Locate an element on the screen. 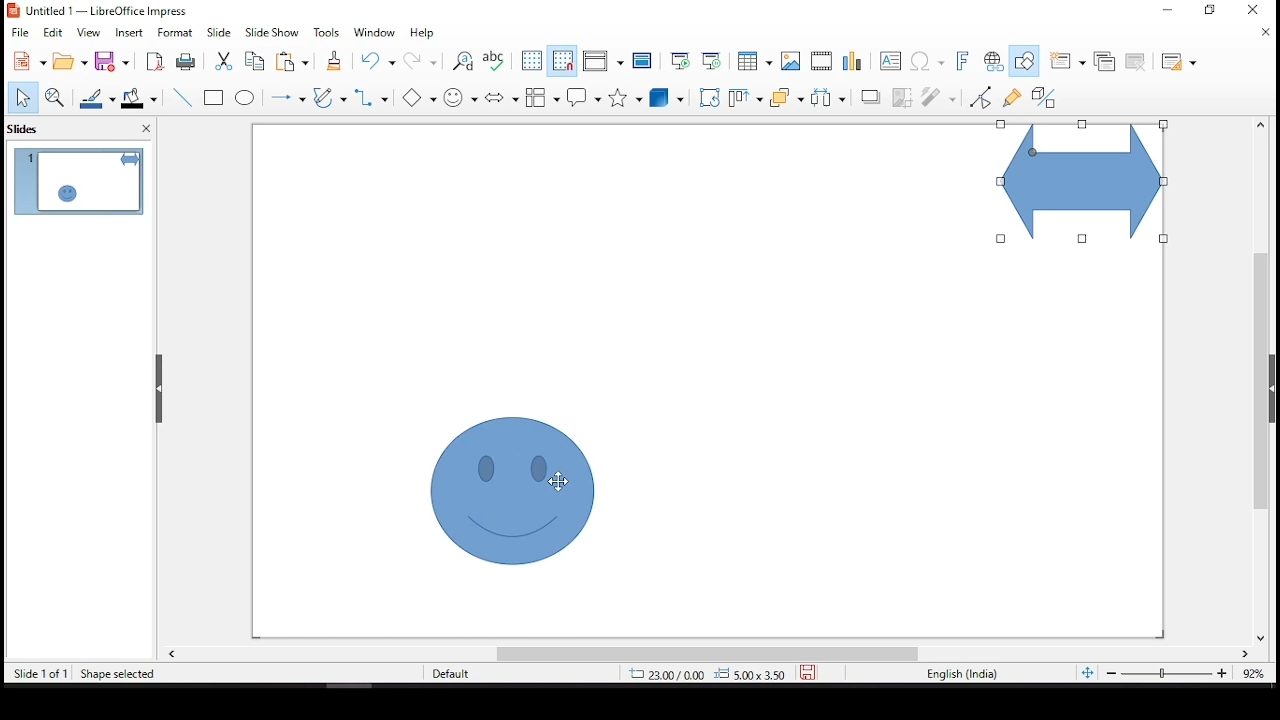 Image resolution: width=1280 pixels, height=720 pixels. zoom slider is located at coordinates (1165, 675).